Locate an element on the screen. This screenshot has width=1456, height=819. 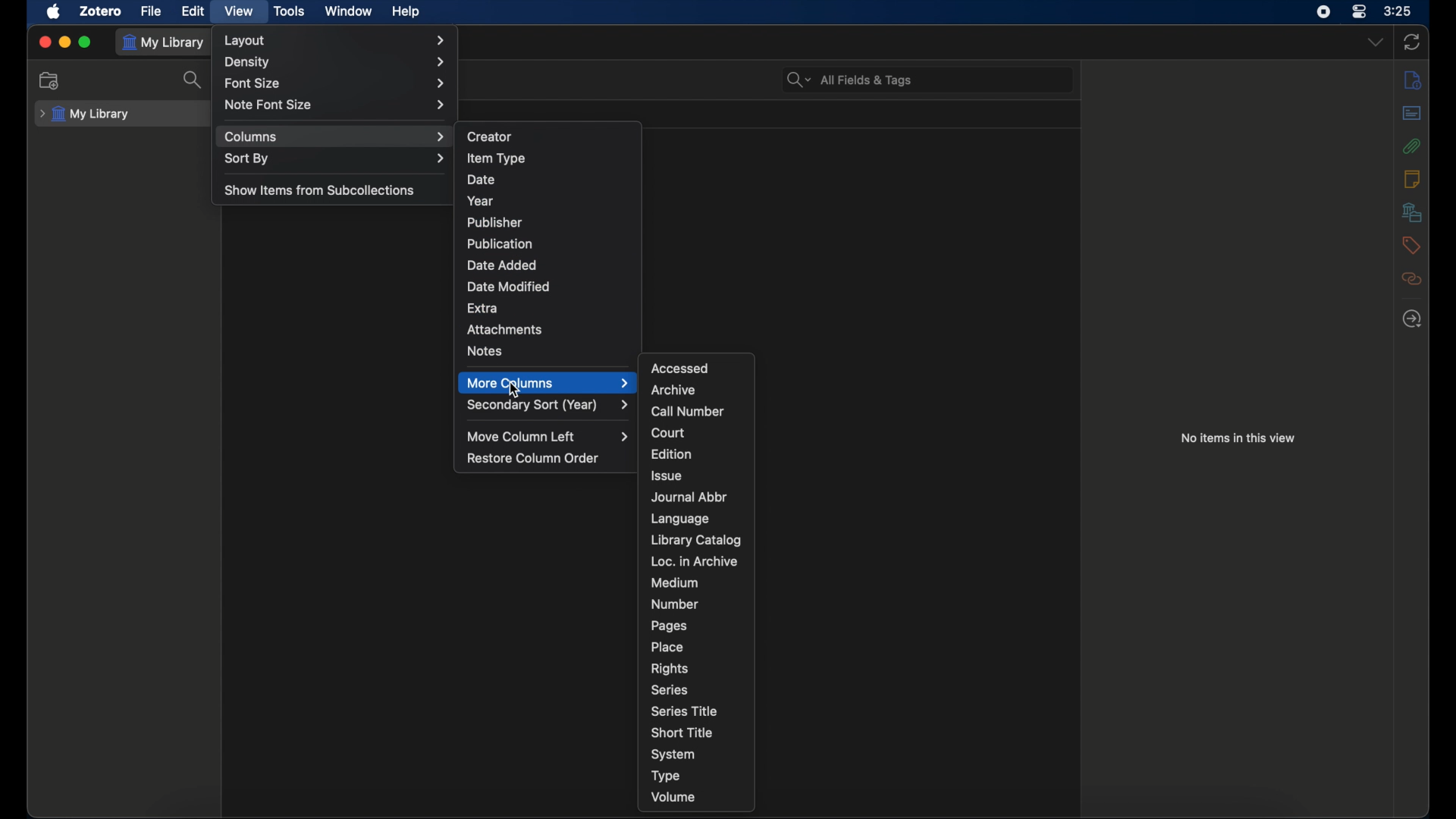
attachments is located at coordinates (1410, 146).